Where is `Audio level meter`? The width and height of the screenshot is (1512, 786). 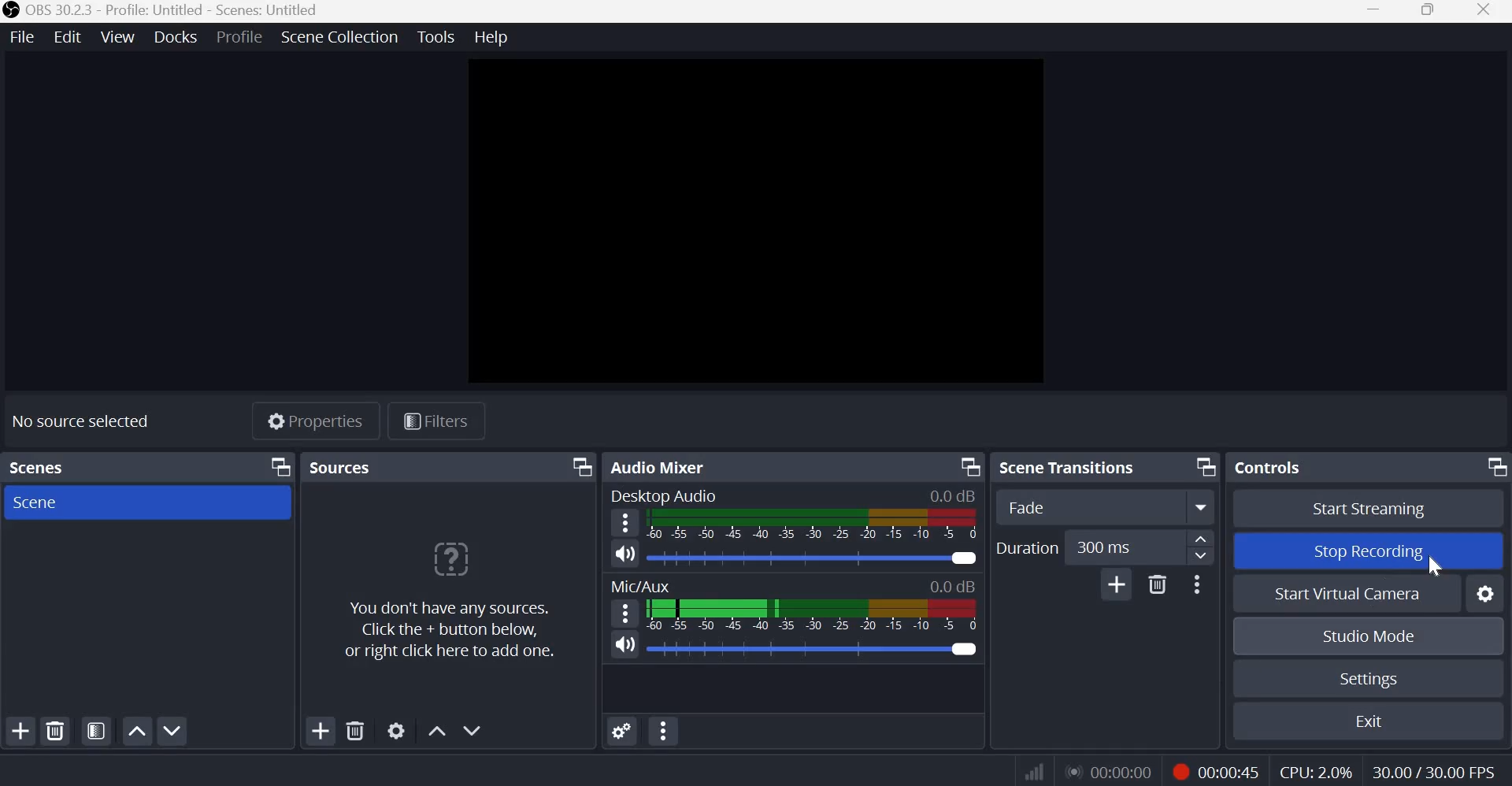 Audio level meter is located at coordinates (790, 558).